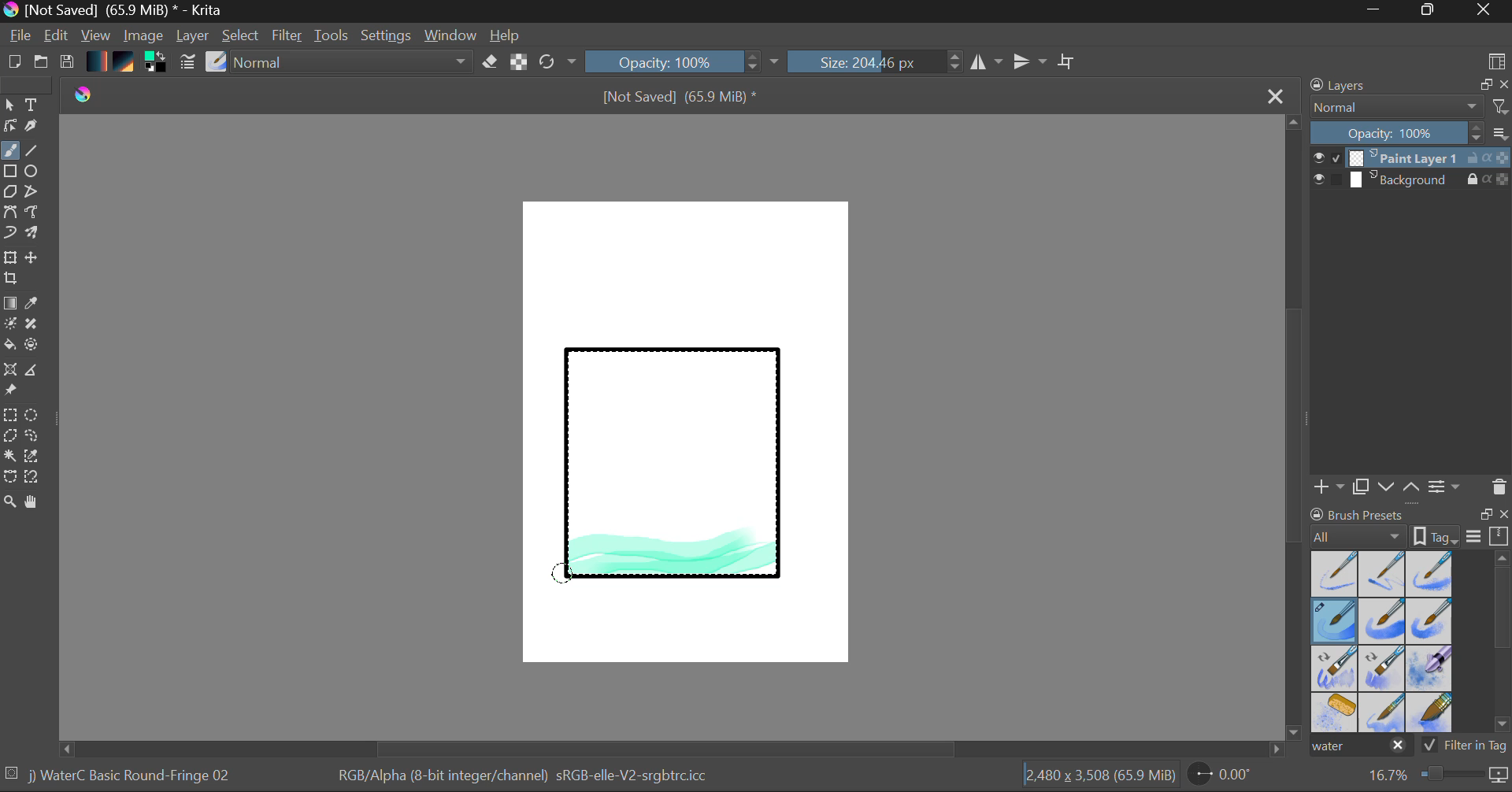  I want to click on Brush Selected, so click(132, 777).